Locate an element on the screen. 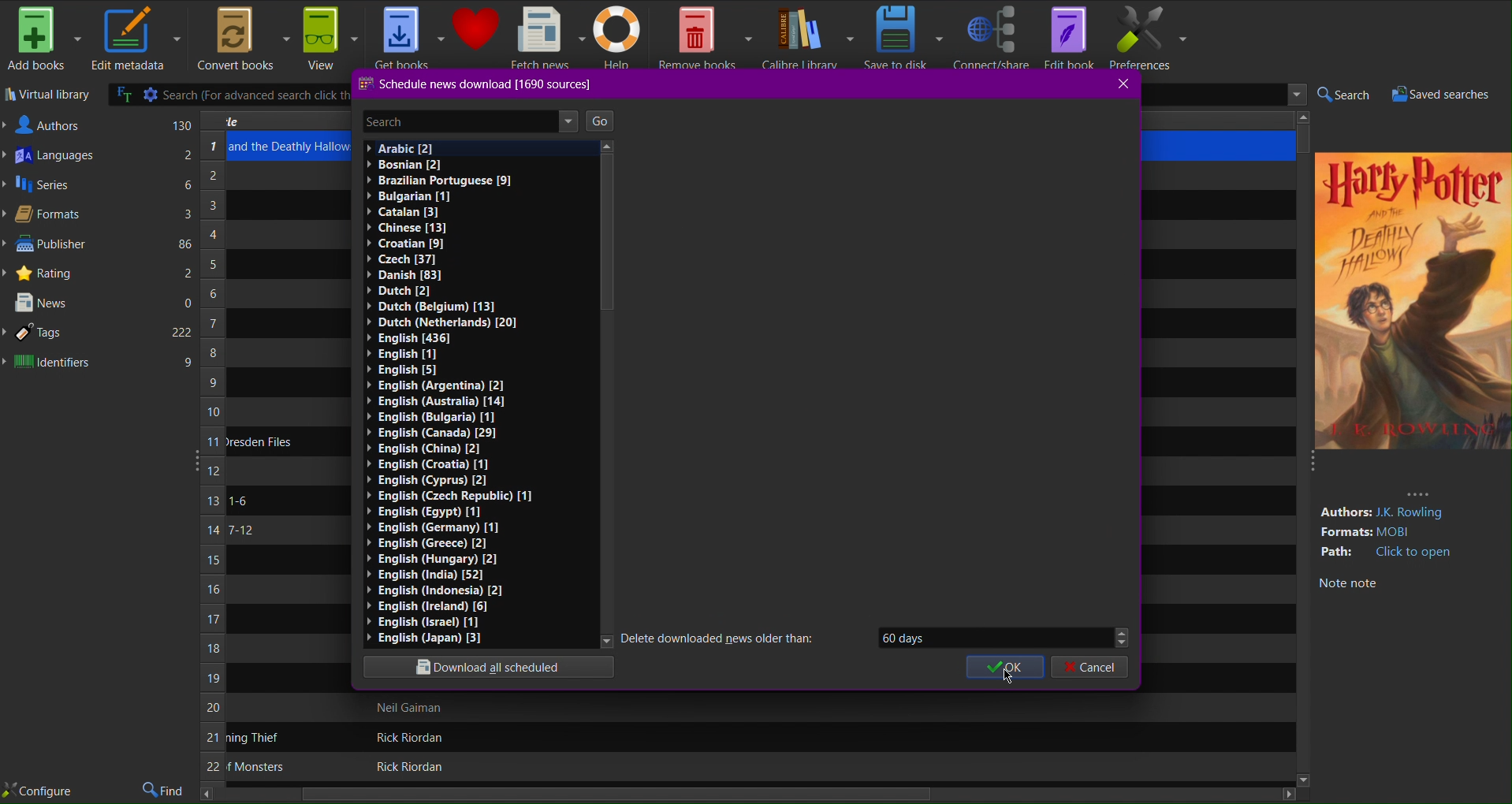 The height and width of the screenshot is (804, 1512). Bosnian [2] is located at coordinates (401, 165).